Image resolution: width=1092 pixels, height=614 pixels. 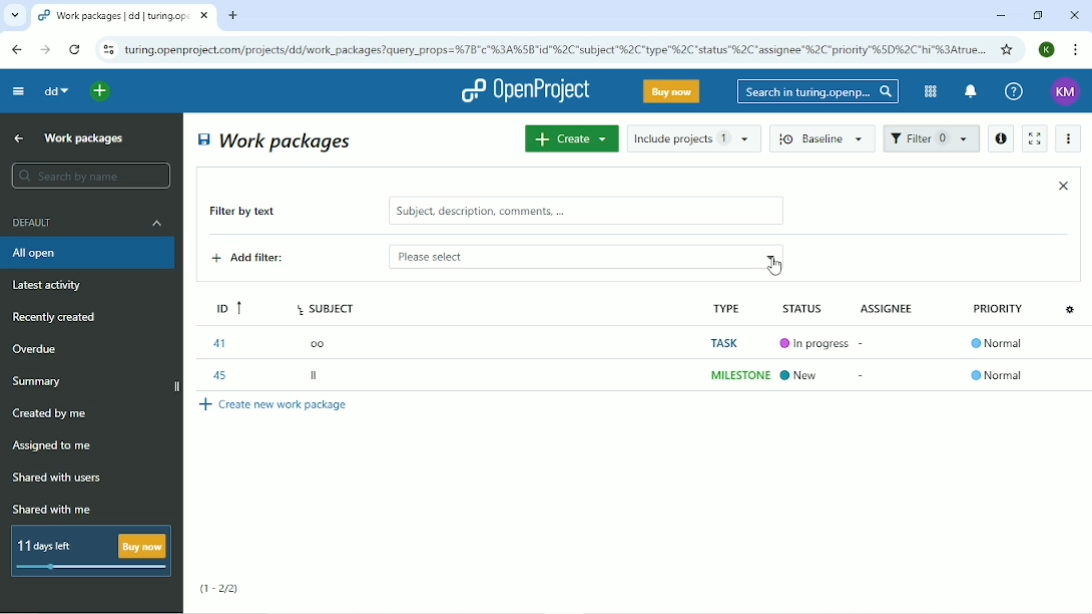 What do you see at coordinates (725, 343) in the screenshot?
I see `Task` at bounding box center [725, 343].